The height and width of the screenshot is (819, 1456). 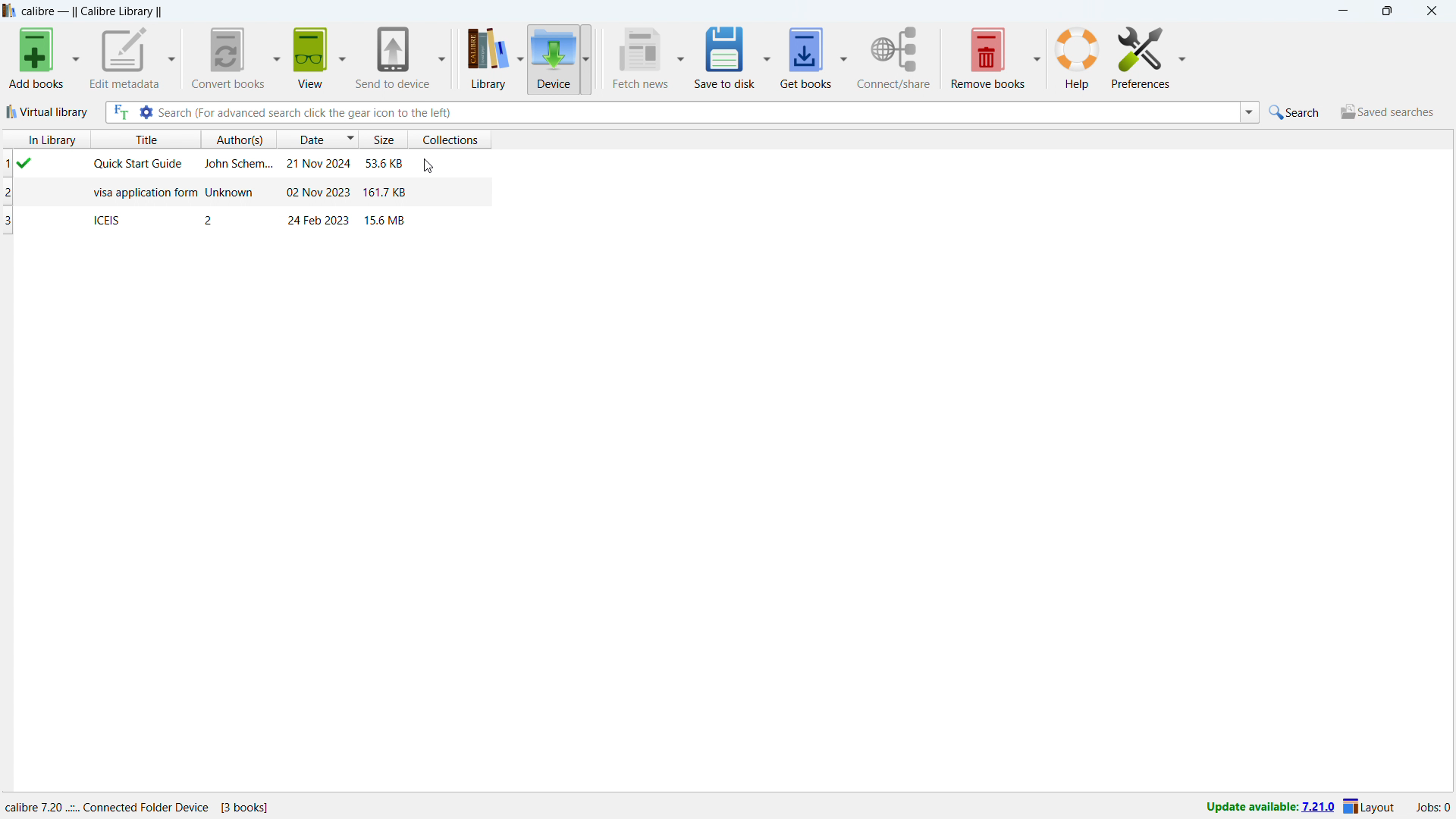 What do you see at coordinates (441, 58) in the screenshot?
I see `send to device options` at bounding box center [441, 58].